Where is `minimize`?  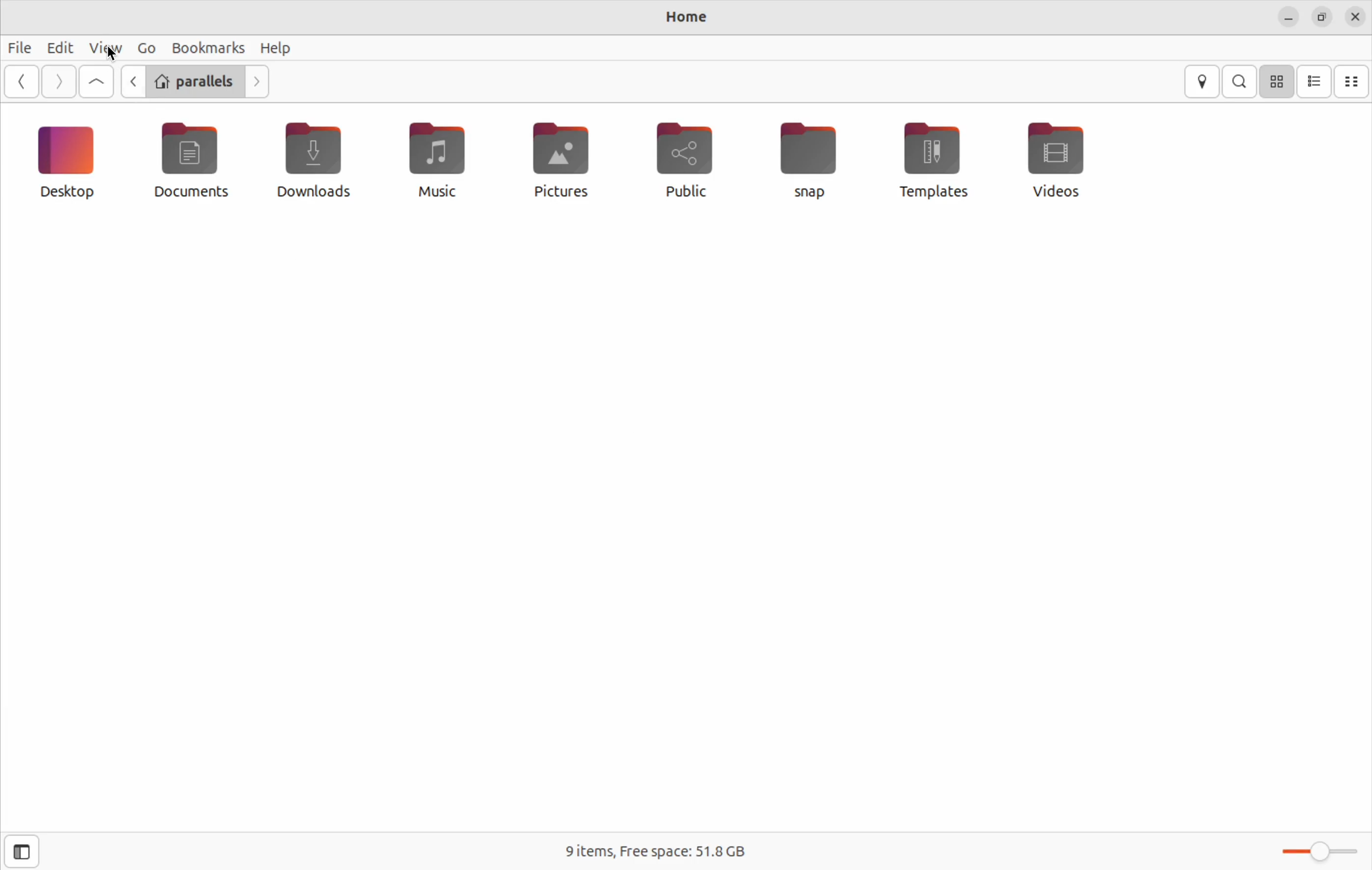 minimize is located at coordinates (1288, 18).